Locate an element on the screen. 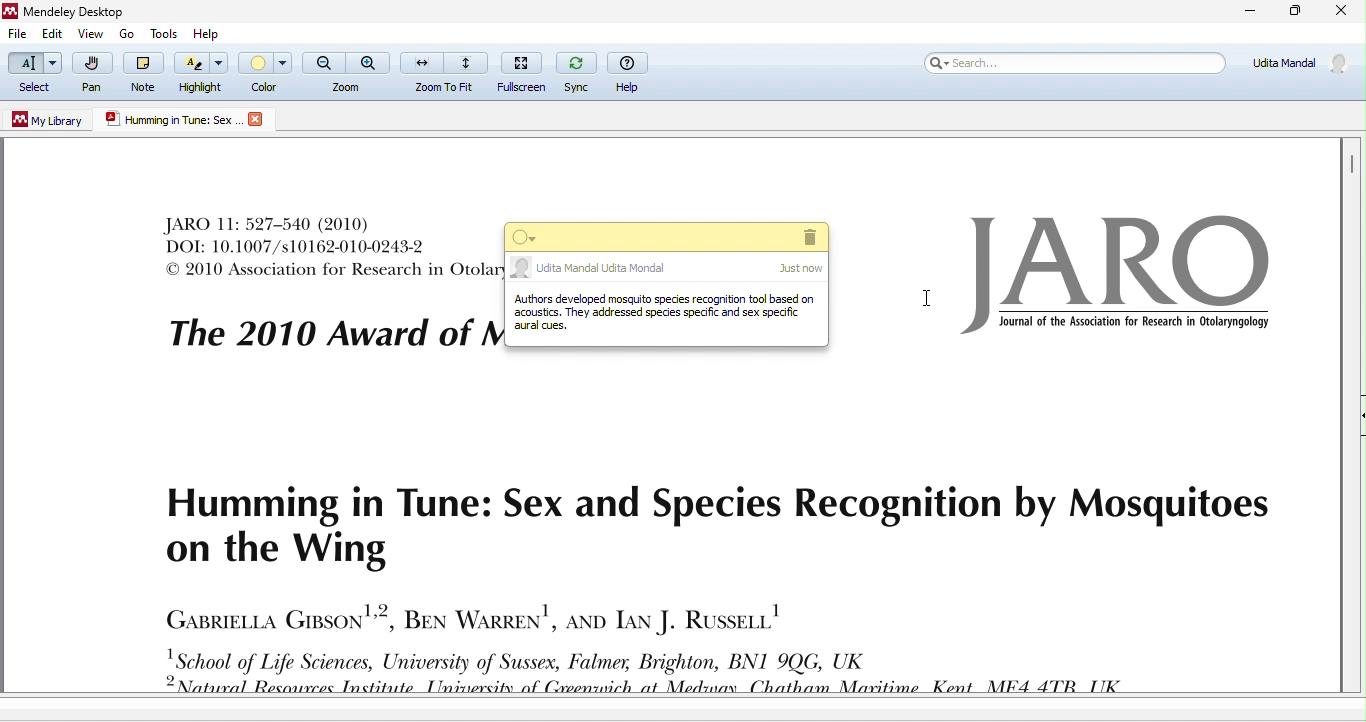 The image size is (1366, 722). file is located at coordinates (19, 36).